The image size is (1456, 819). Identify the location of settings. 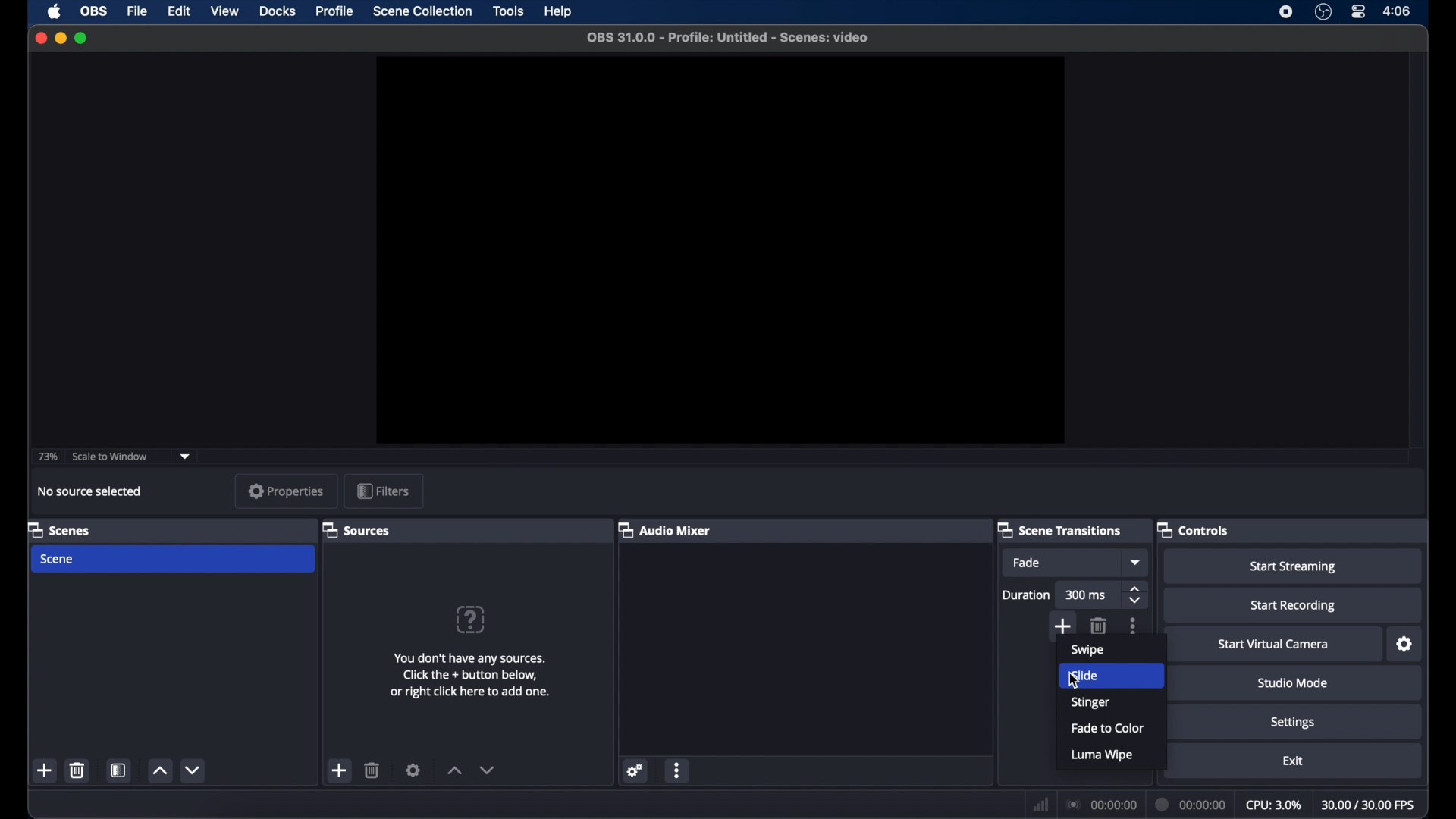
(1292, 723).